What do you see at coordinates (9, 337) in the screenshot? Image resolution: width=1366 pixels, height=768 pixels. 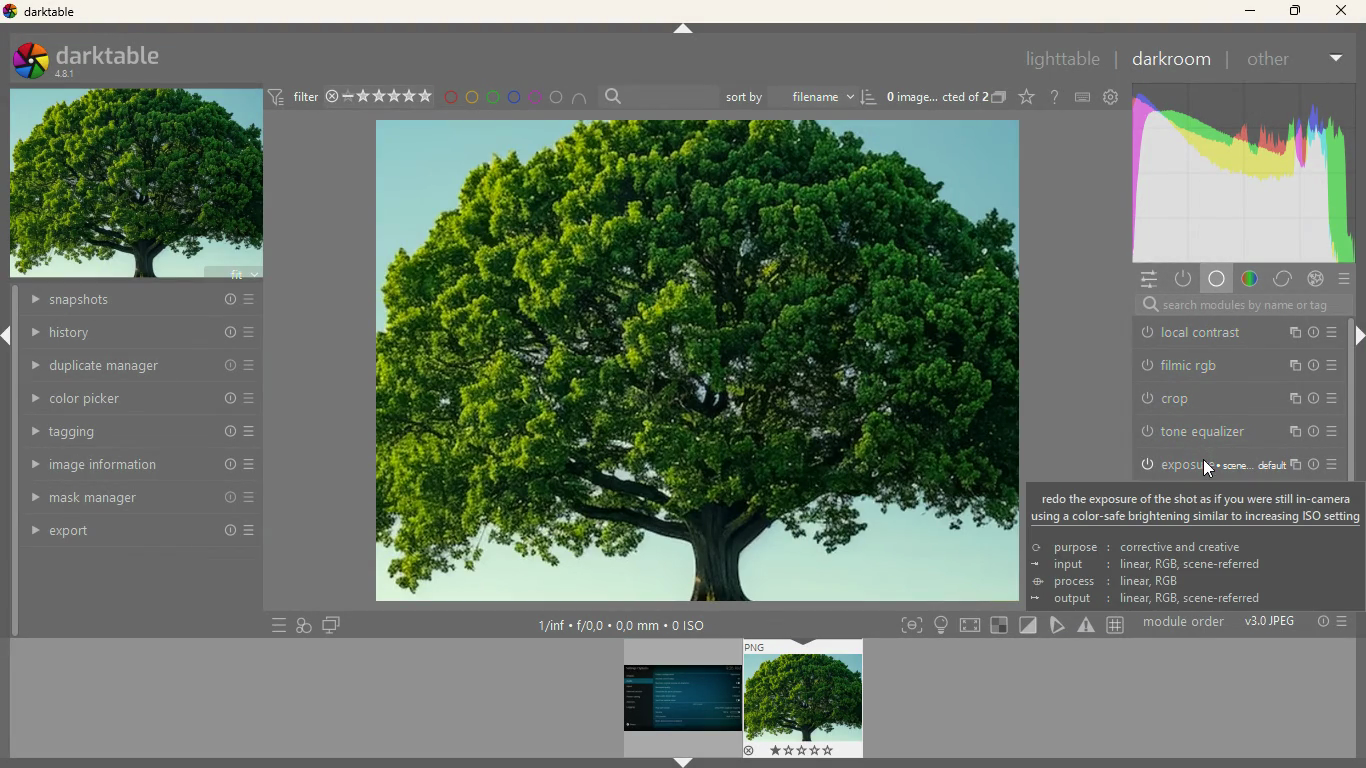 I see `arrow` at bounding box center [9, 337].